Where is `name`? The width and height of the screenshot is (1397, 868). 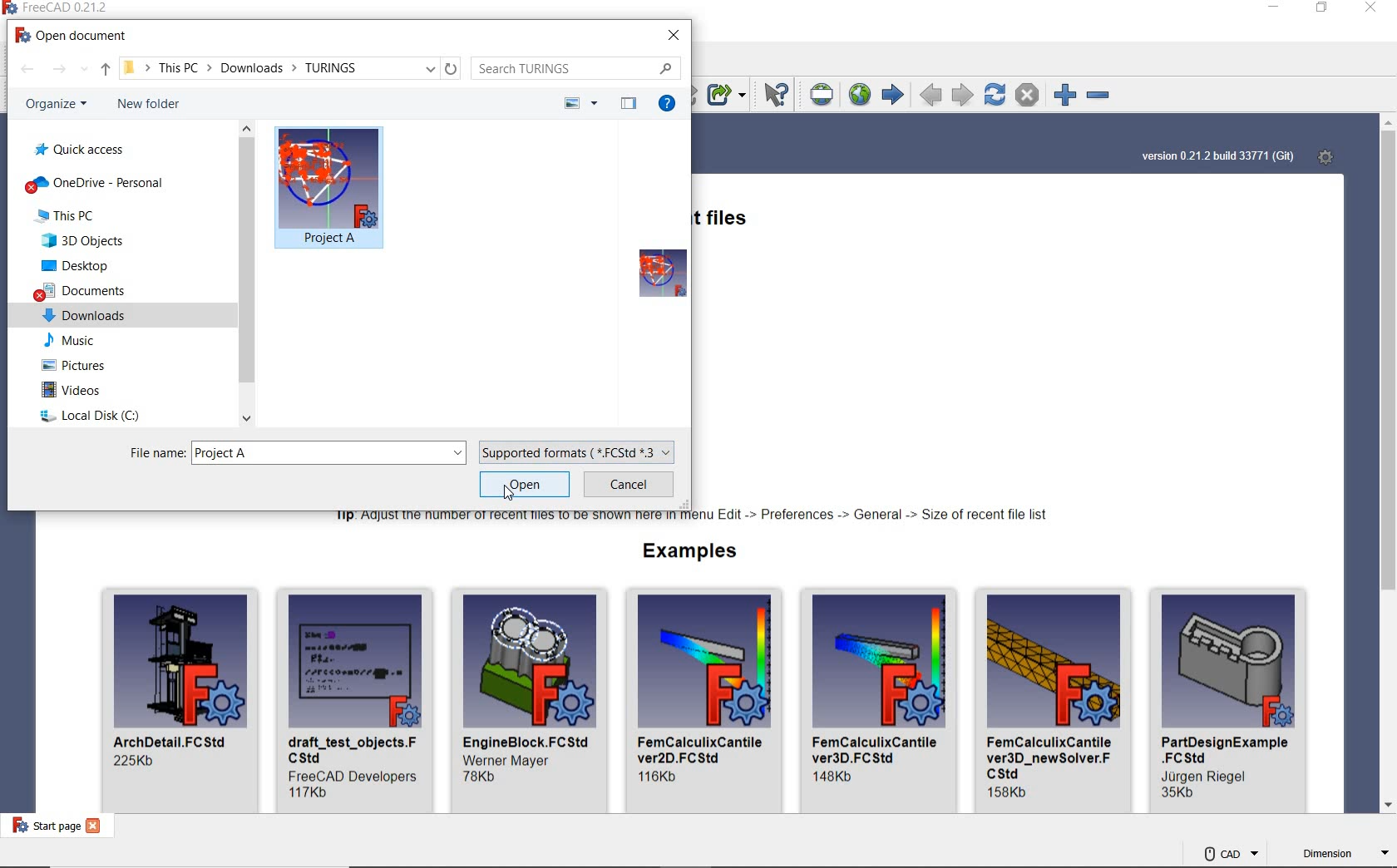
name is located at coordinates (703, 748).